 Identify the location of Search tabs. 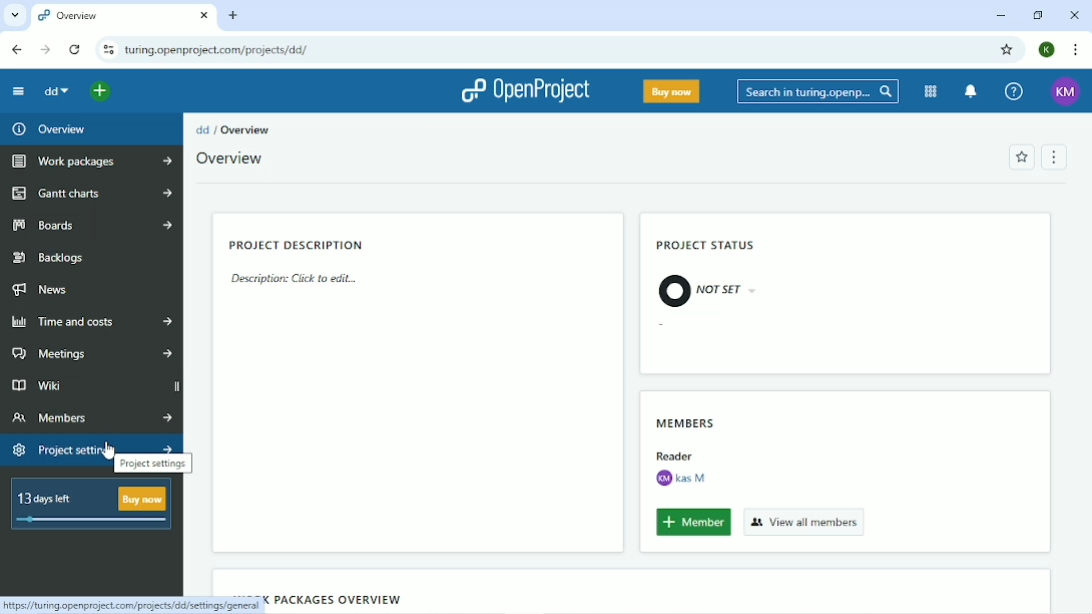
(13, 15).